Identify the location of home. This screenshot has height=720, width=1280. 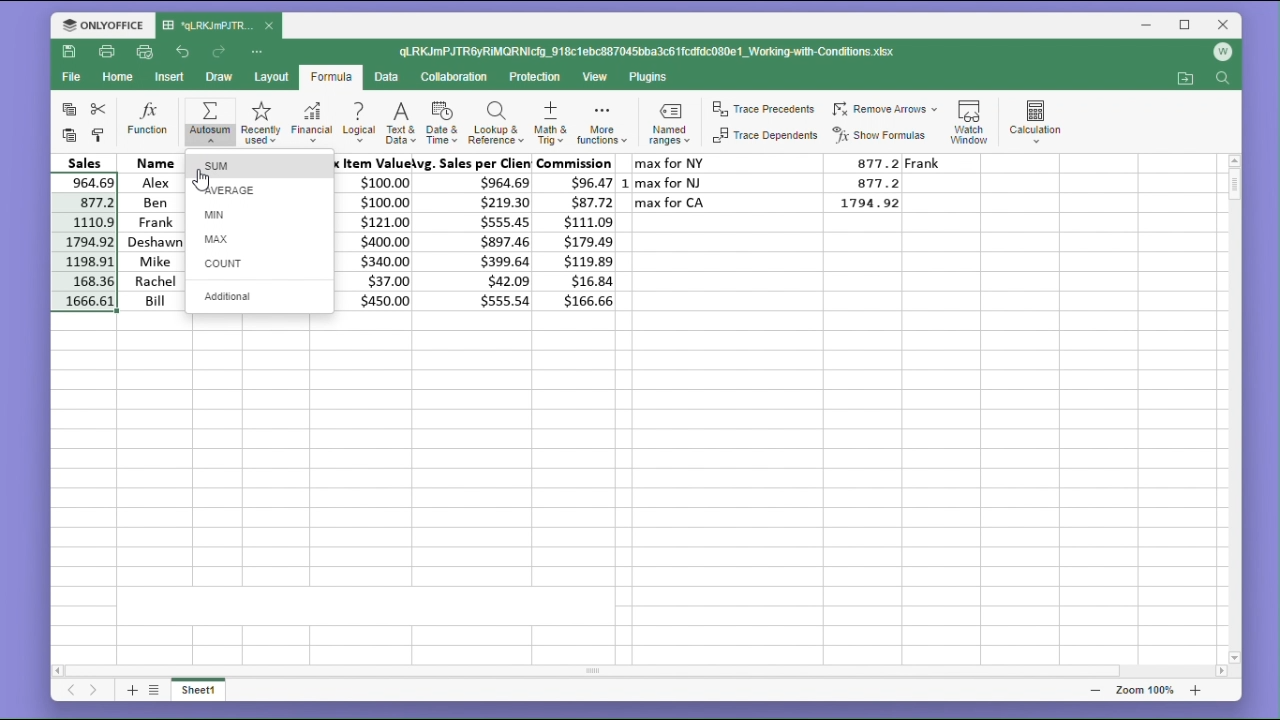
(120, 82).